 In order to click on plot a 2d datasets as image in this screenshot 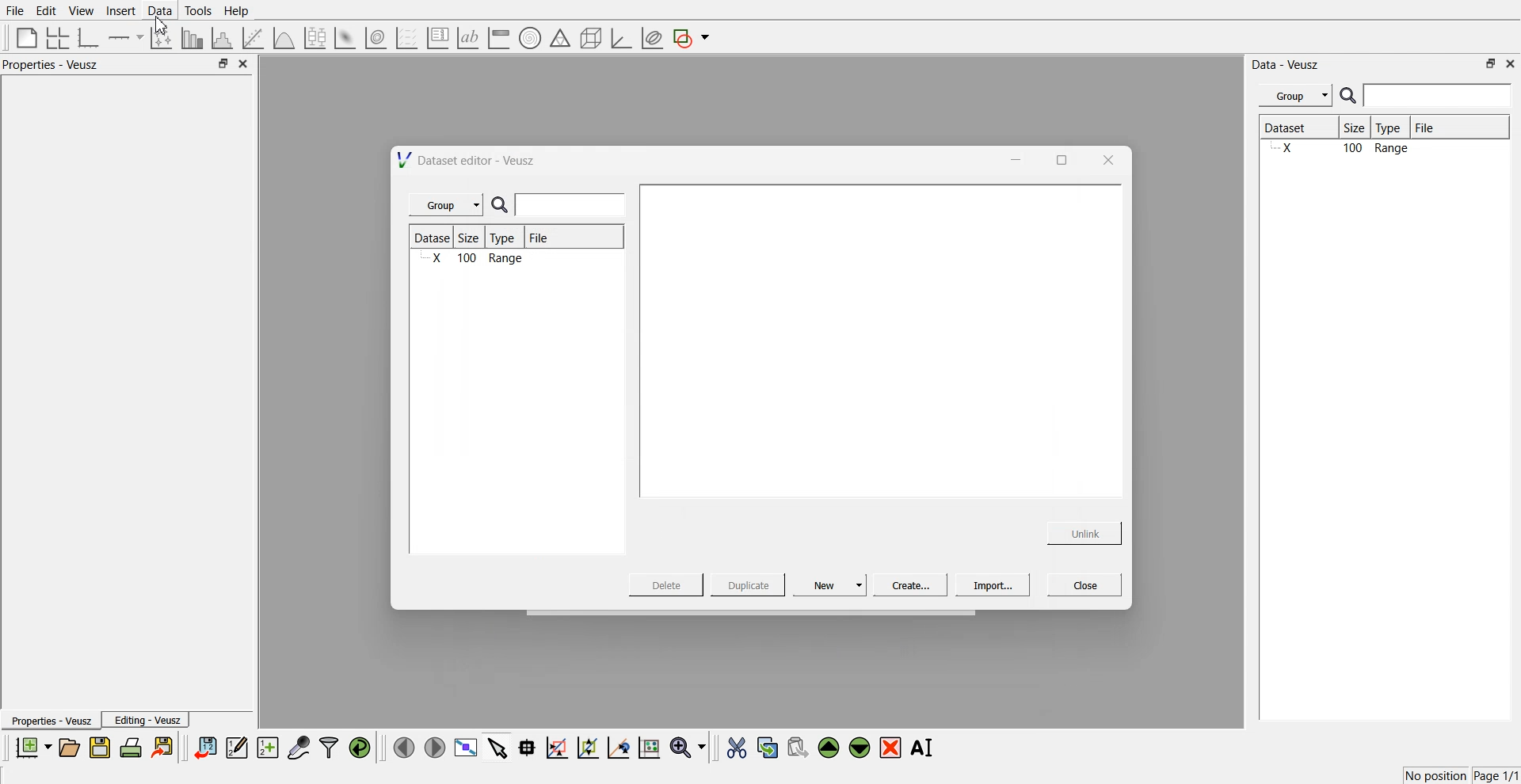, I will do `click(344, 37)`.